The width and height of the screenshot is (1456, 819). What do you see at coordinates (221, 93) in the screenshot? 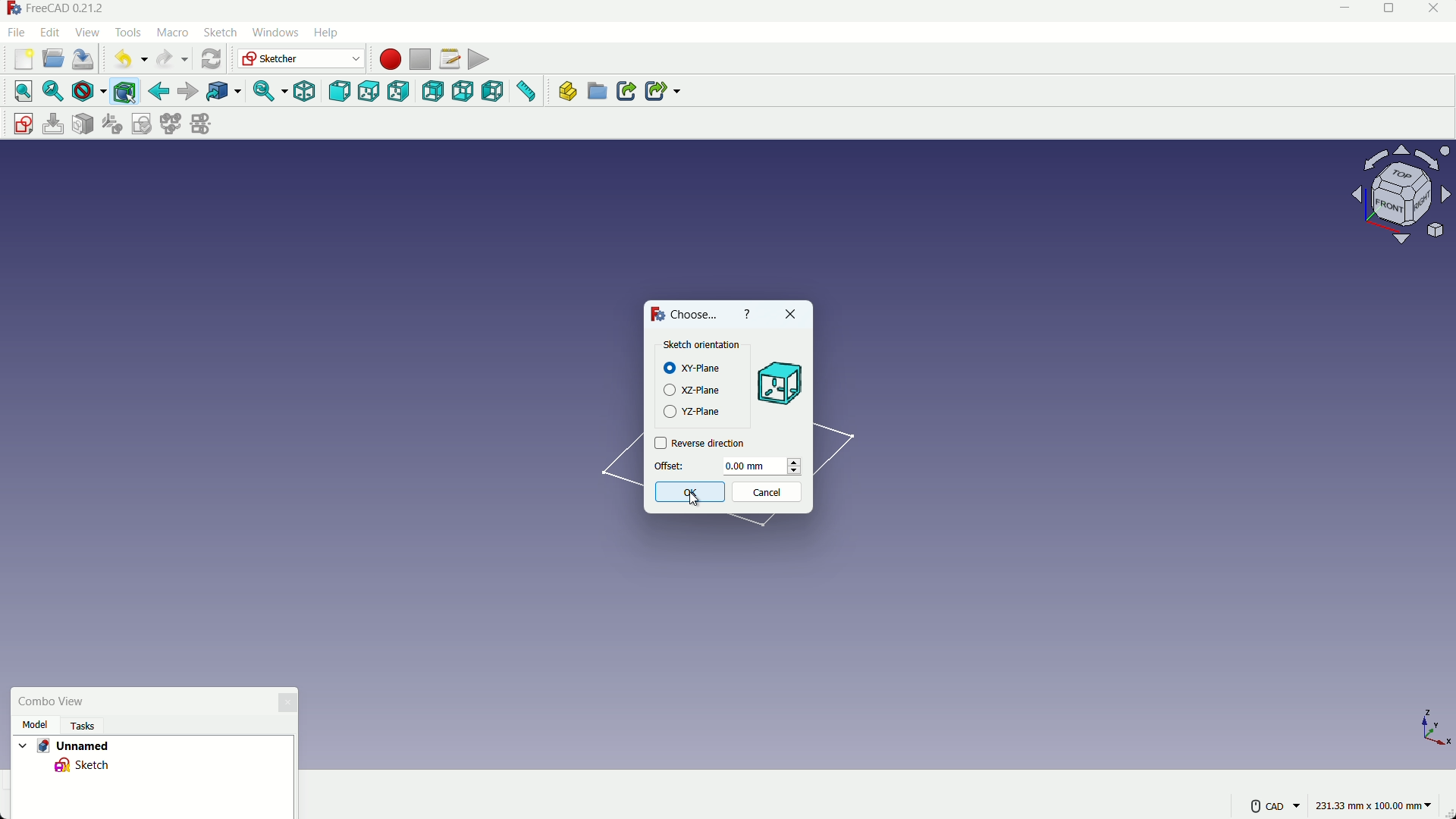
I see `link to the object` at bounding box center [221, 93].